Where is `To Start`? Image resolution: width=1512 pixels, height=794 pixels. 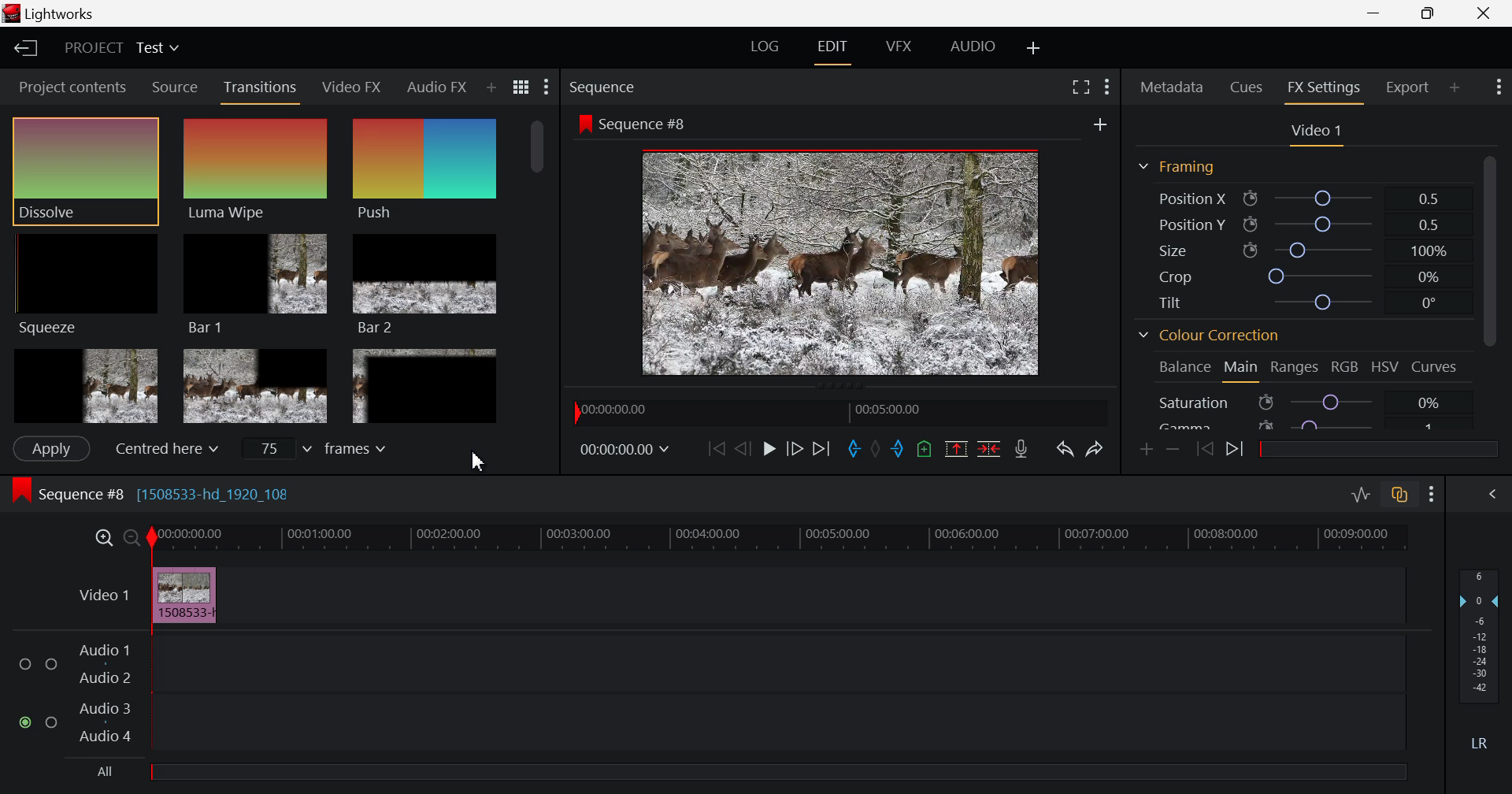 To Start is located at coordinates (714, 449).